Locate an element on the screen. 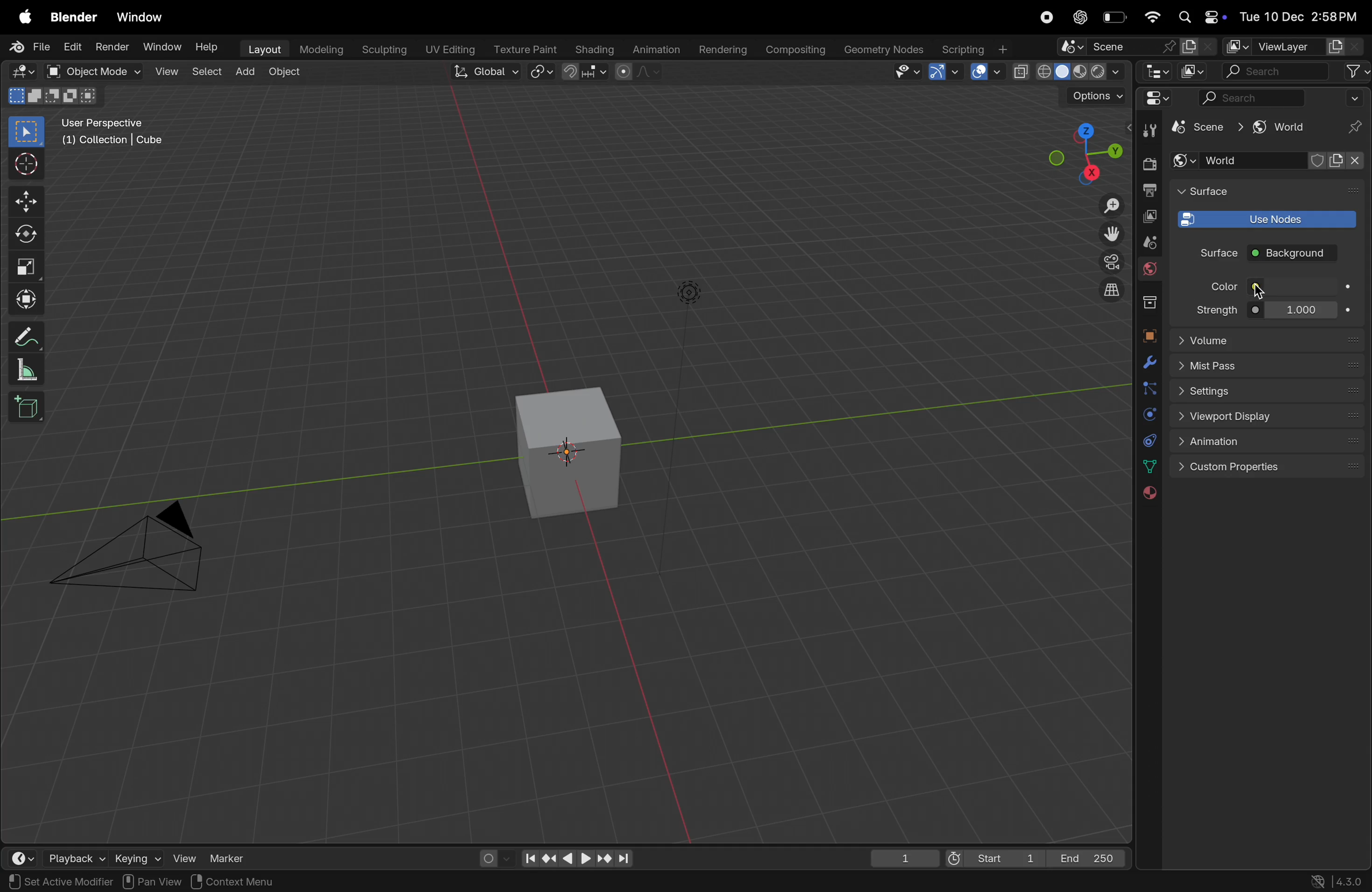 The width and height of the screenshot is (1372, 892). move the view is located at coordinates (1110, 233).